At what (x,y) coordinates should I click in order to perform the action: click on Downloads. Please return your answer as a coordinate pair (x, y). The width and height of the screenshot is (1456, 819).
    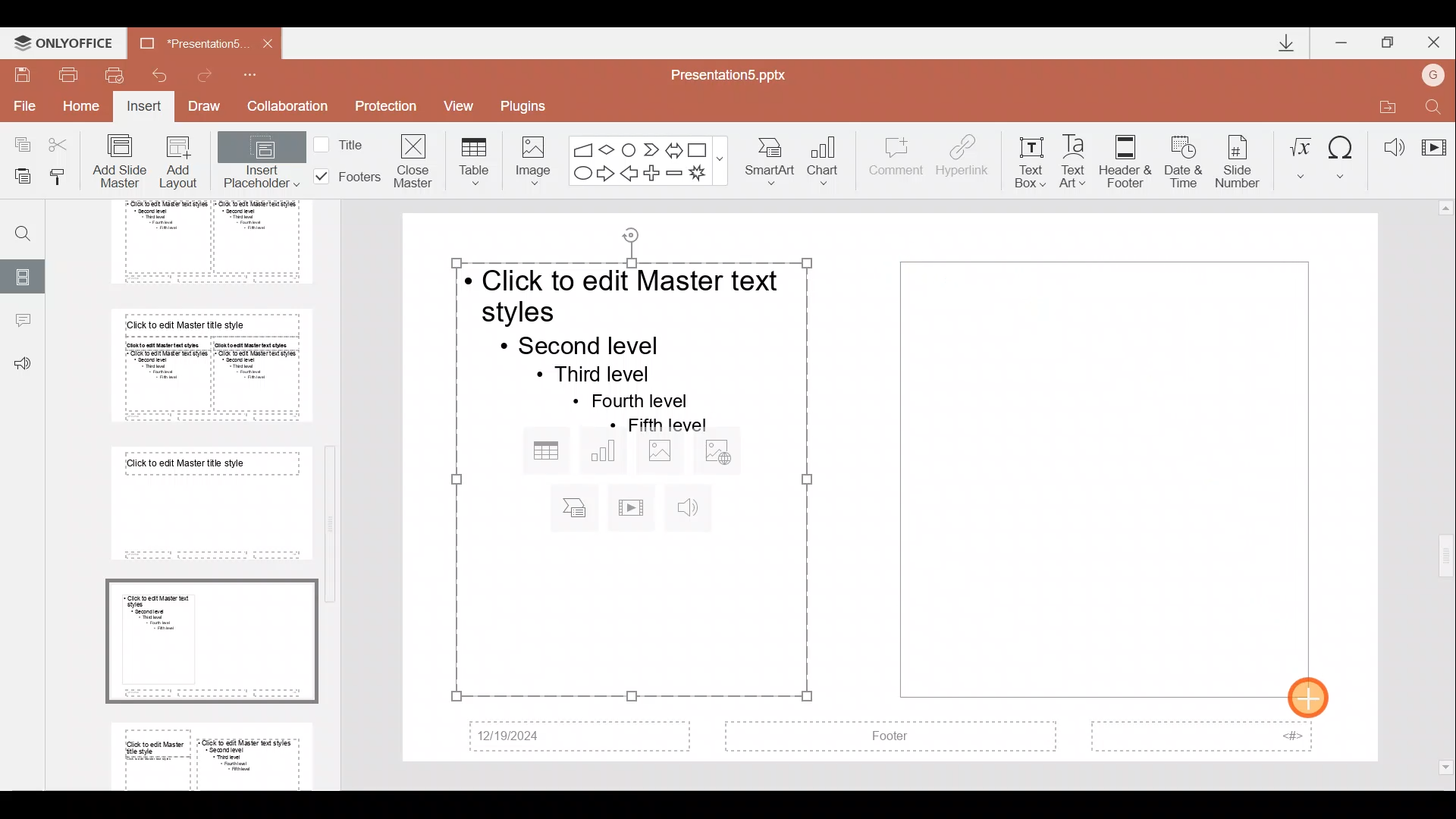
    Looking at the image, I should click on (1280, 42).